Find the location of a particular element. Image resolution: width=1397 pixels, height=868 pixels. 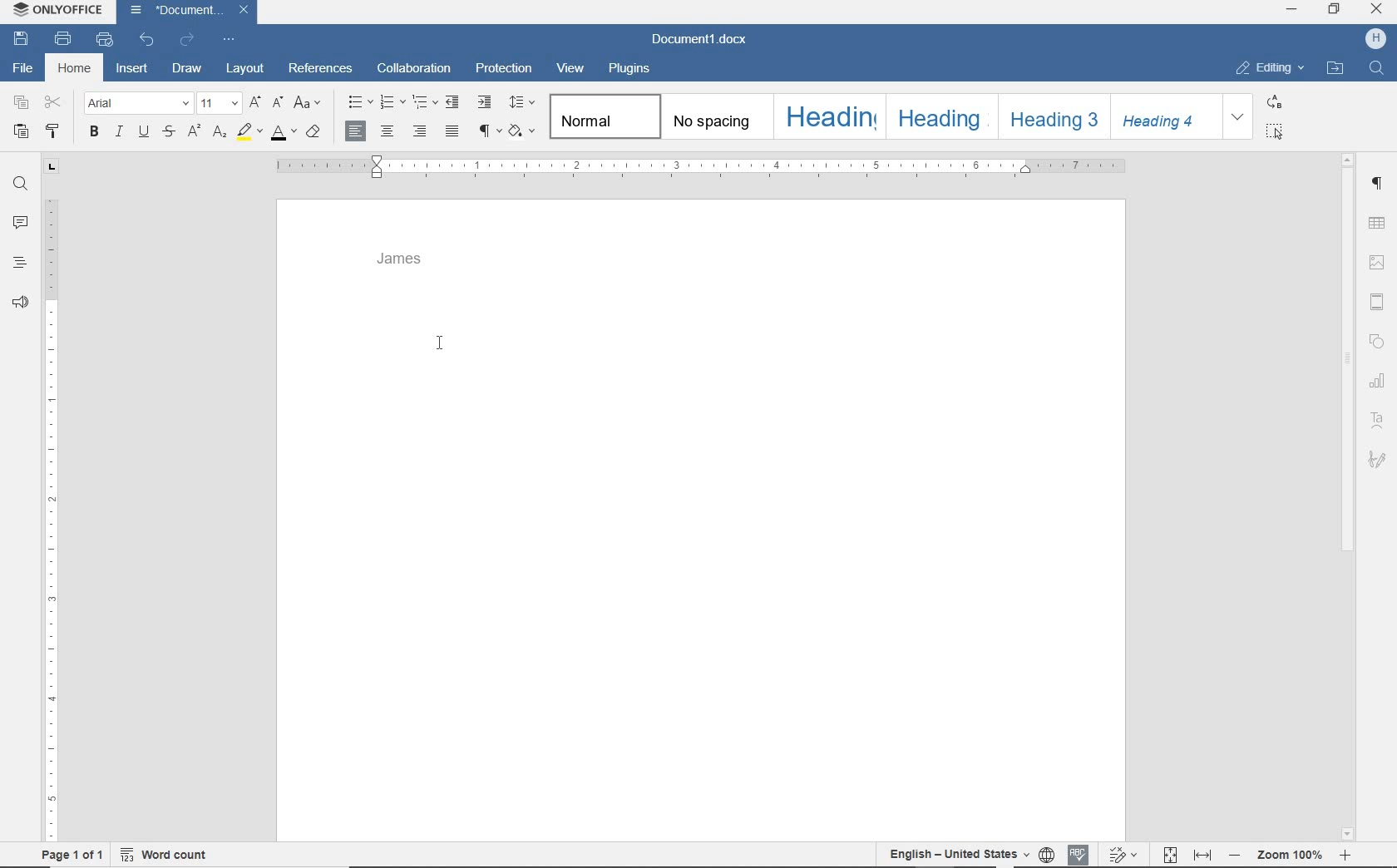

quick print is located at coordinates (103, 40).